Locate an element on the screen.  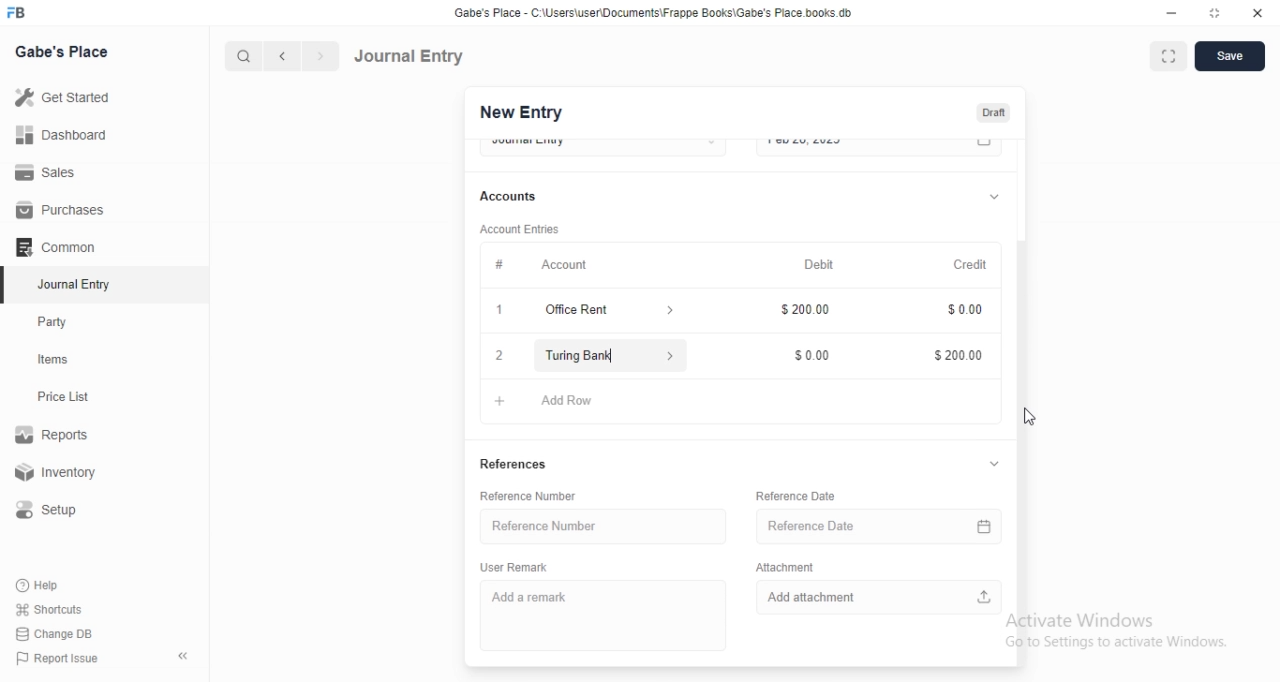
$0.00 is located at coordinates (804, 355).